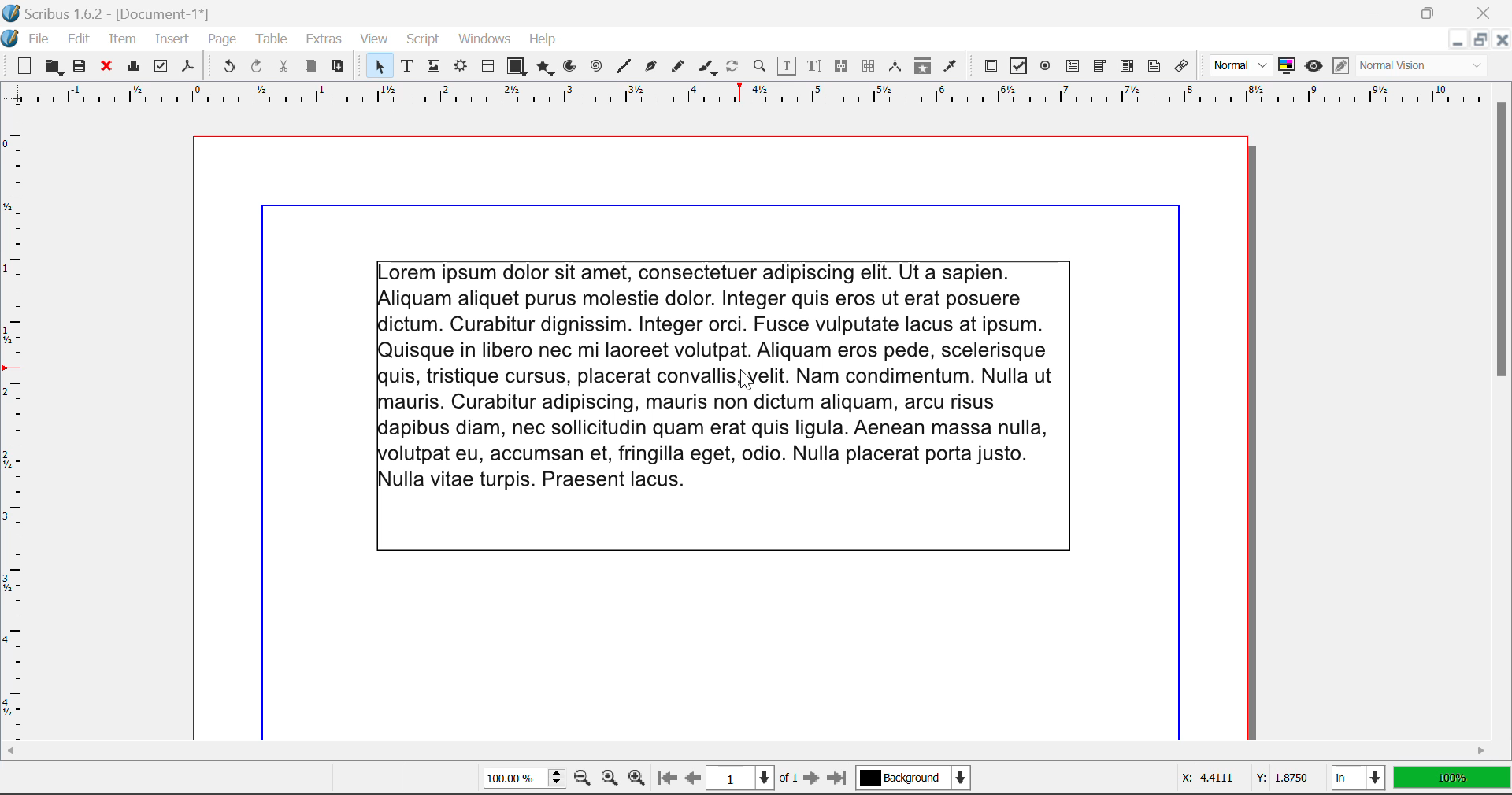  Describe the element at coordinates (545, 69) in the screenshot. I see `Polygons` at that location.